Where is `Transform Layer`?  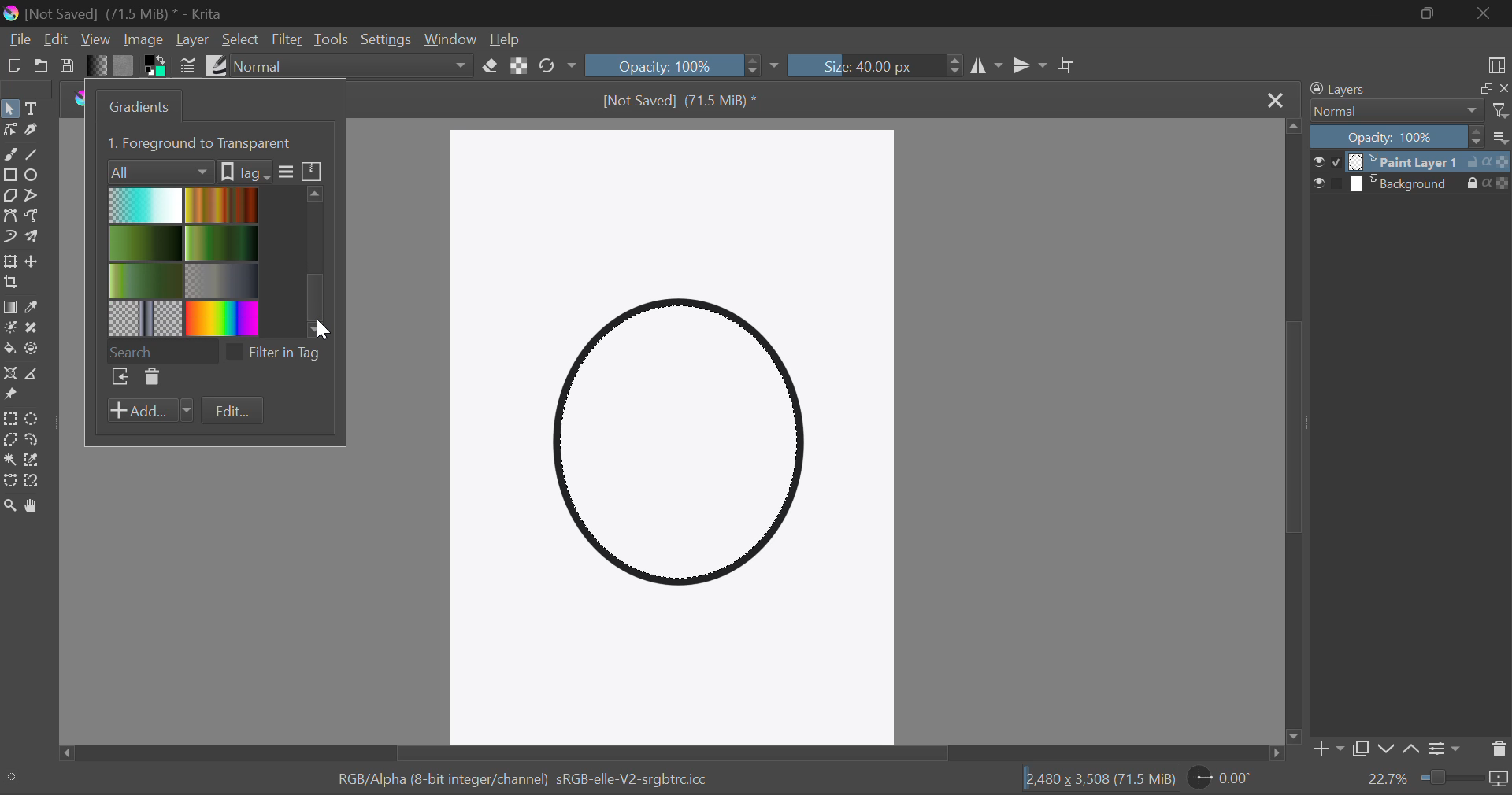 Transform Layer is located at coordinates (11, 263).